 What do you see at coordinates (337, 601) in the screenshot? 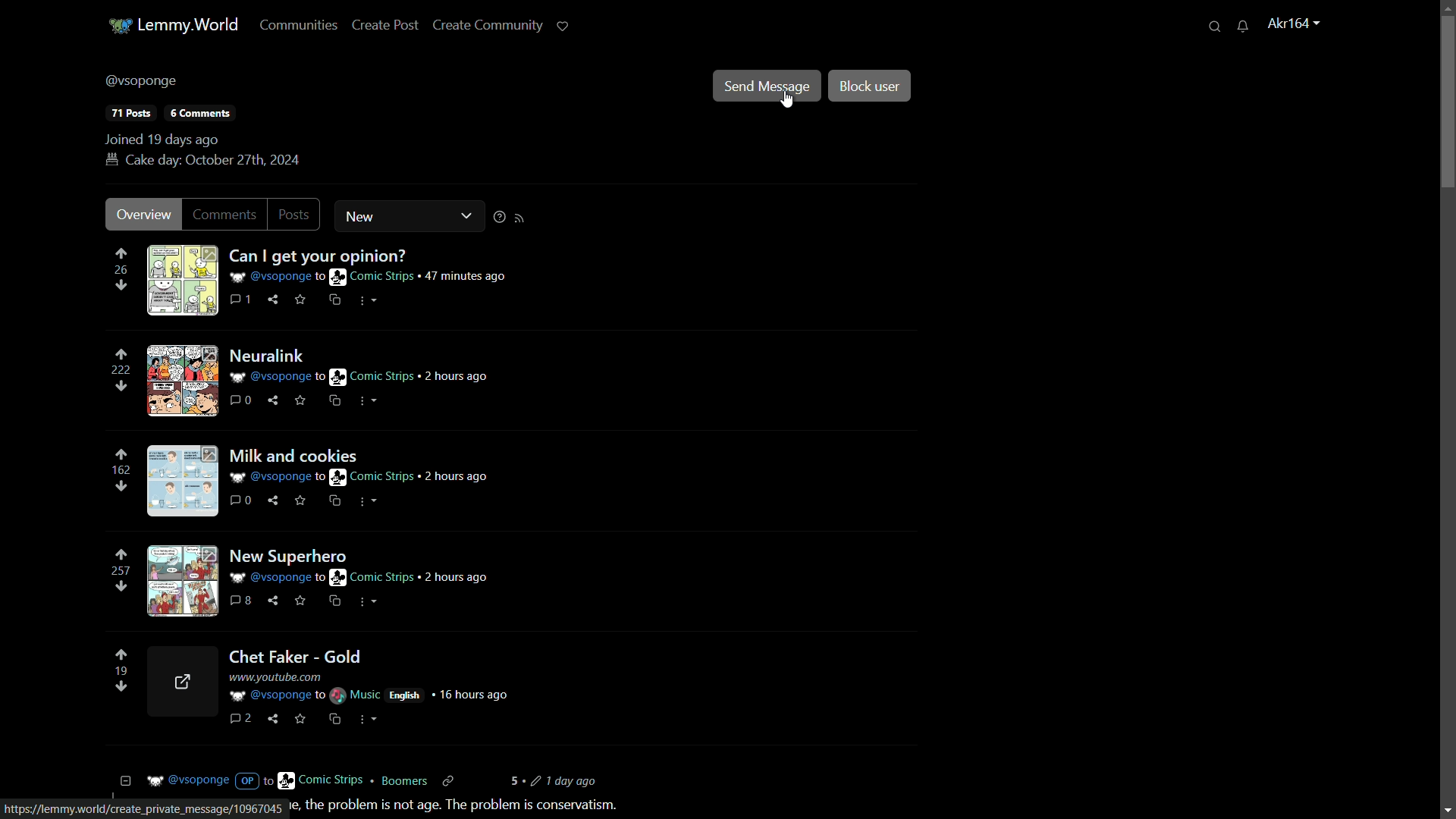
I see `cs` at bounding box center [337, 601].